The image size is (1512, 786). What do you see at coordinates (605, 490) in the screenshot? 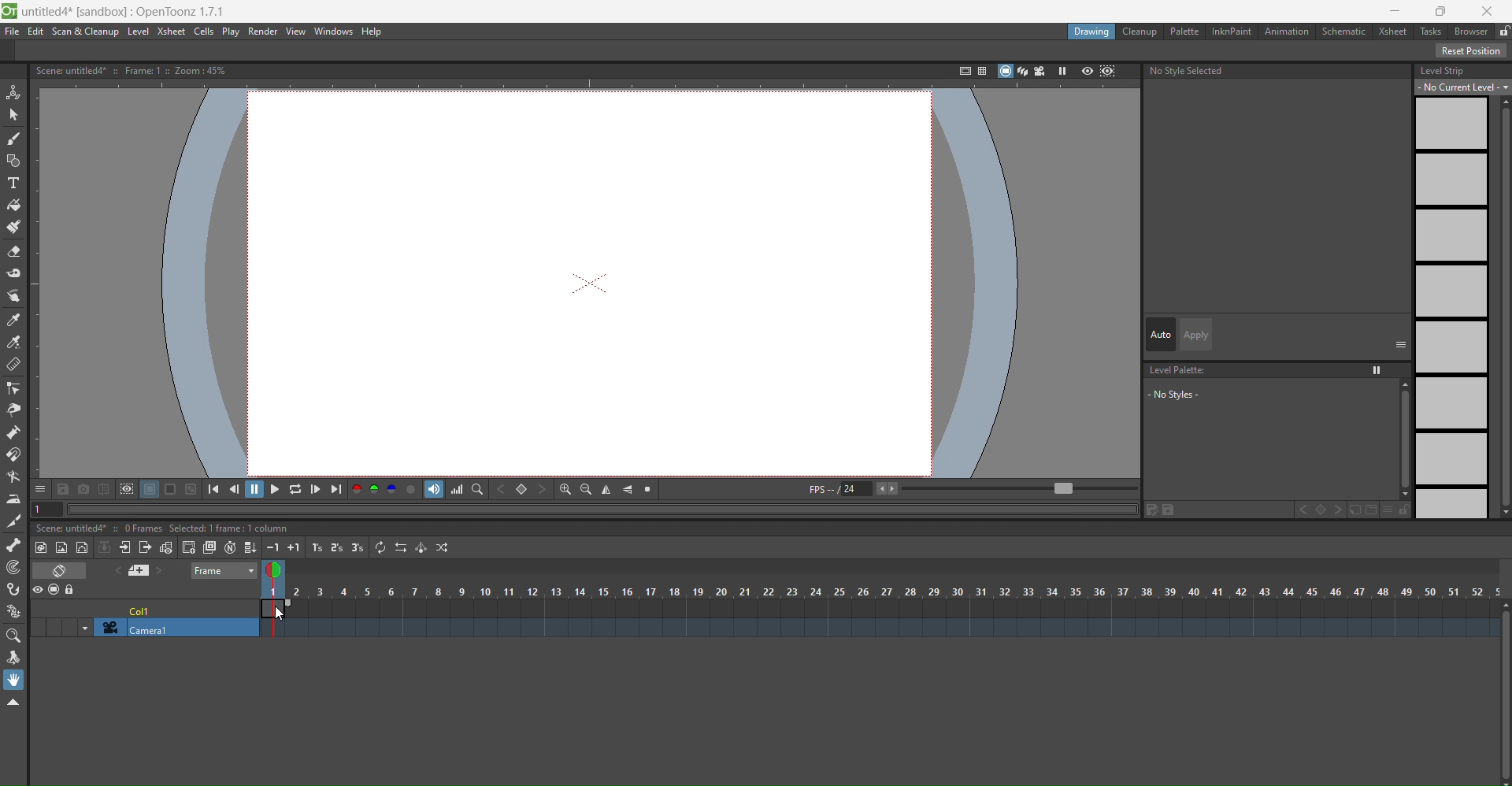
I see `` at bounding box center [605, 490].